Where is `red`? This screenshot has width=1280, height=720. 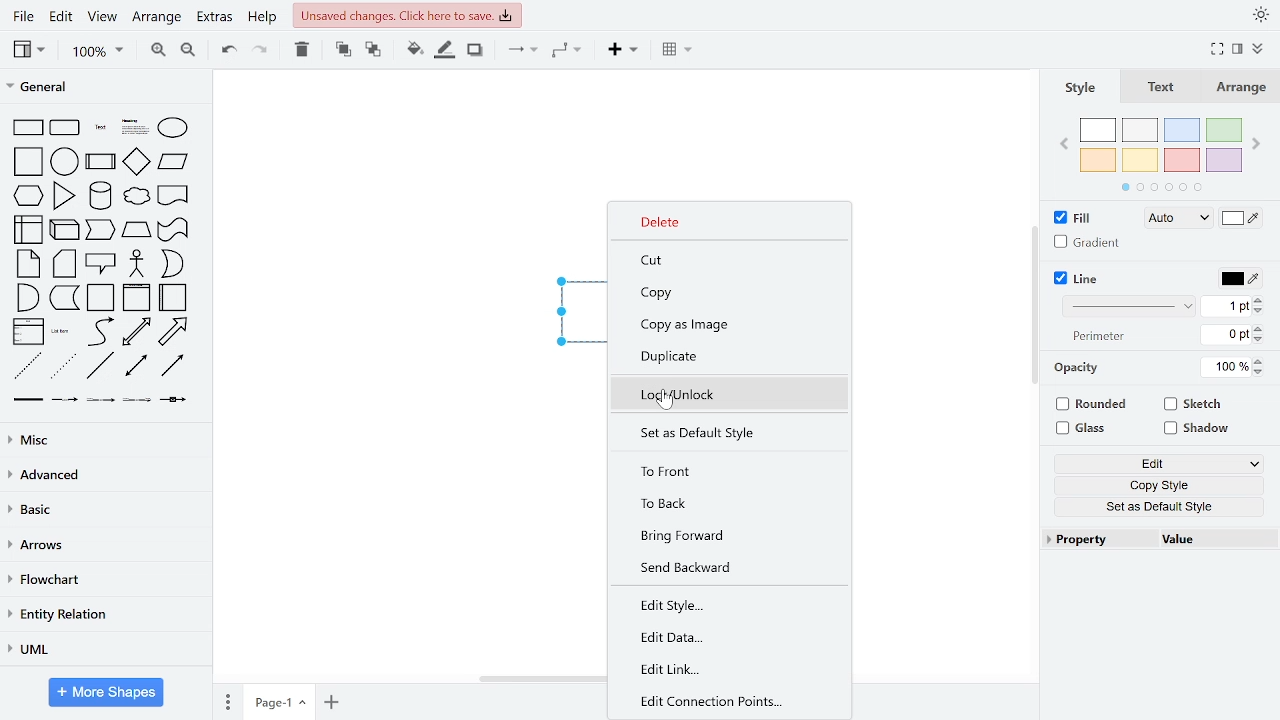
red is located at coordinates (1182, 159).